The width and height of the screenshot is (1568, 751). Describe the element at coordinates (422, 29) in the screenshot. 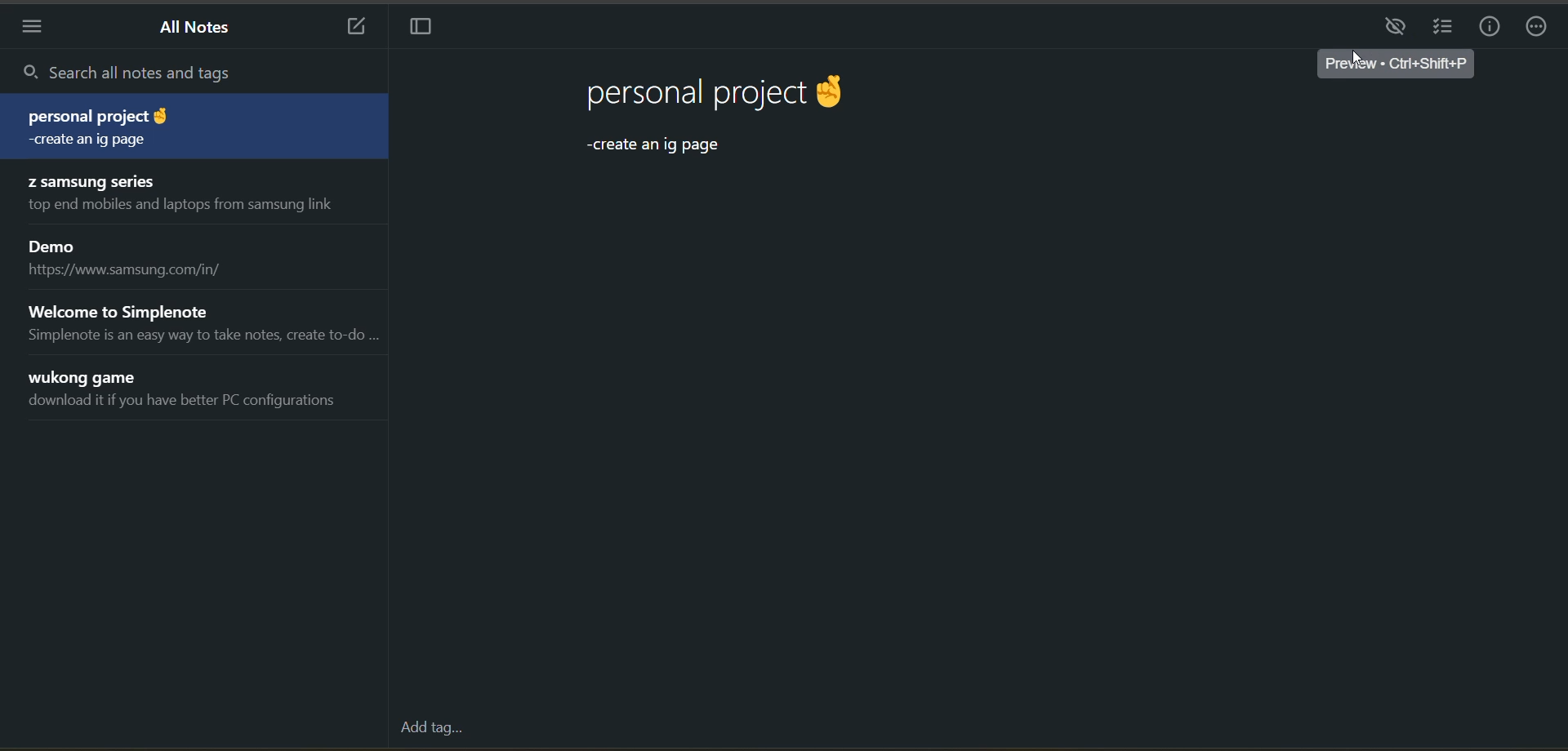

I see `toggle focus mode` at that location.